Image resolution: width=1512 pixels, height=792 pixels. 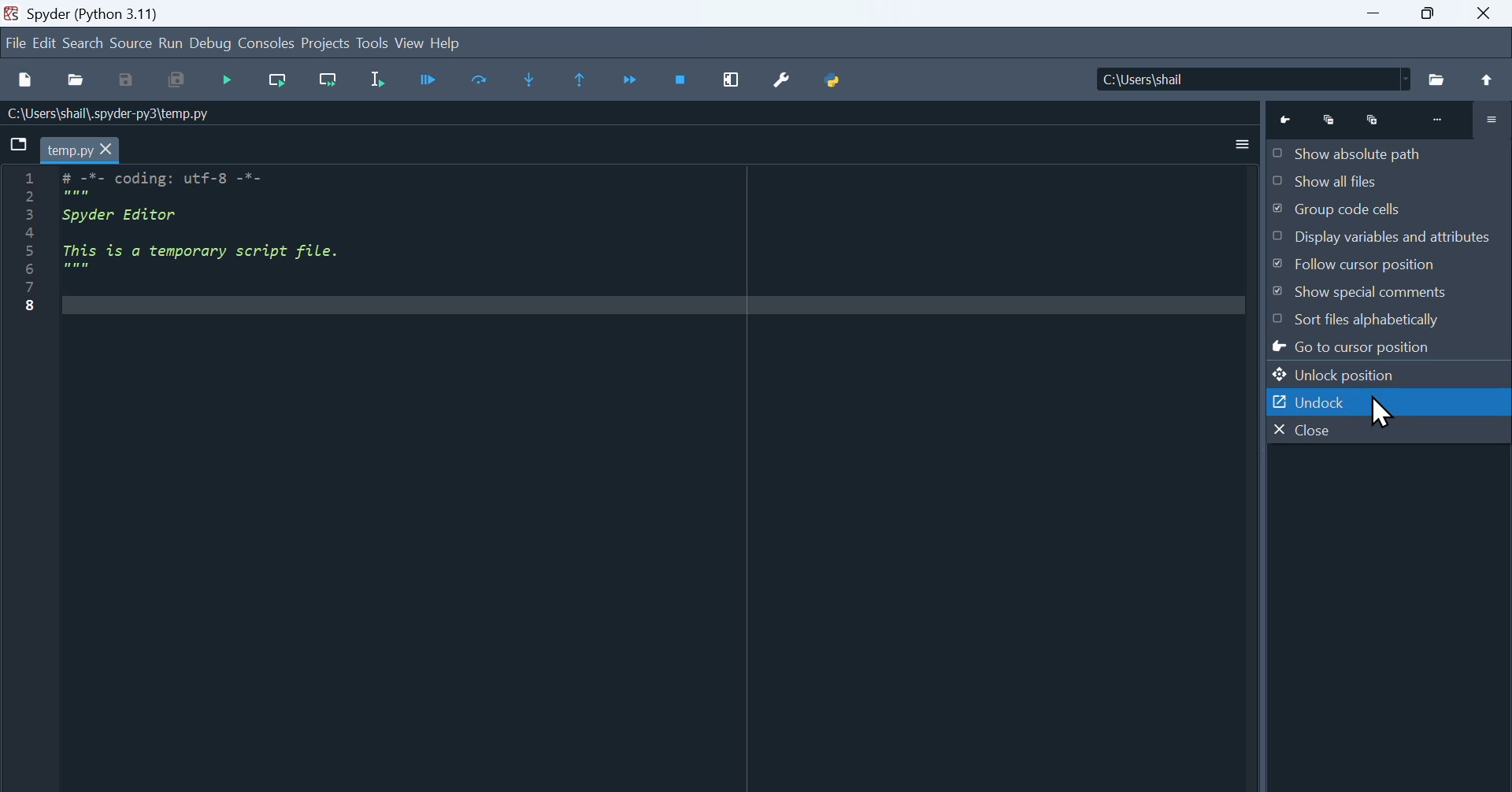 What do you see at coordinates (1389, 402) in the screenshot?
I see `Undock` at bounding box center [1389, 402].